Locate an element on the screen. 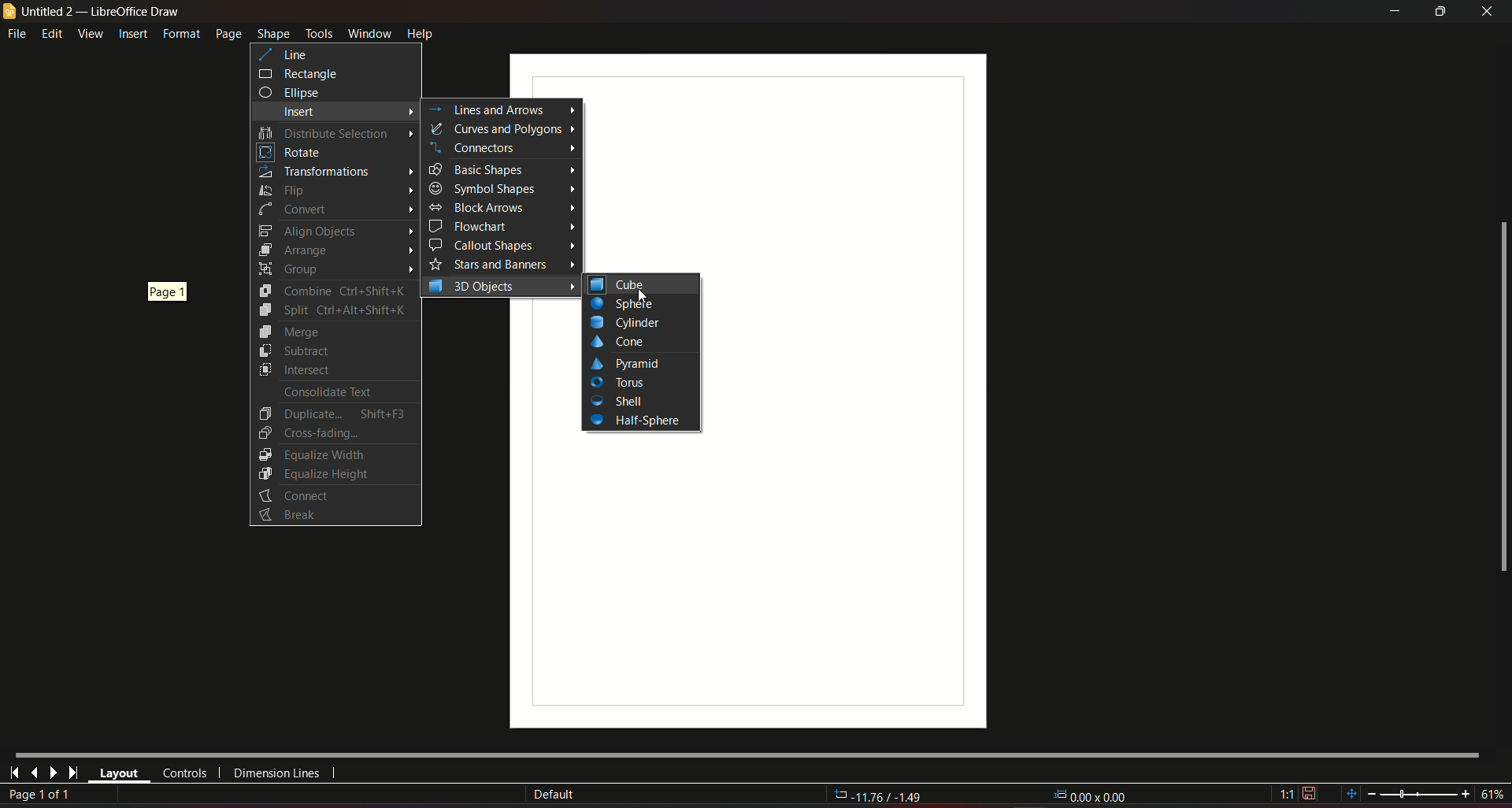 This screenshot has height=808, width=1512. Cylinder is located at coordinates (624, 322).